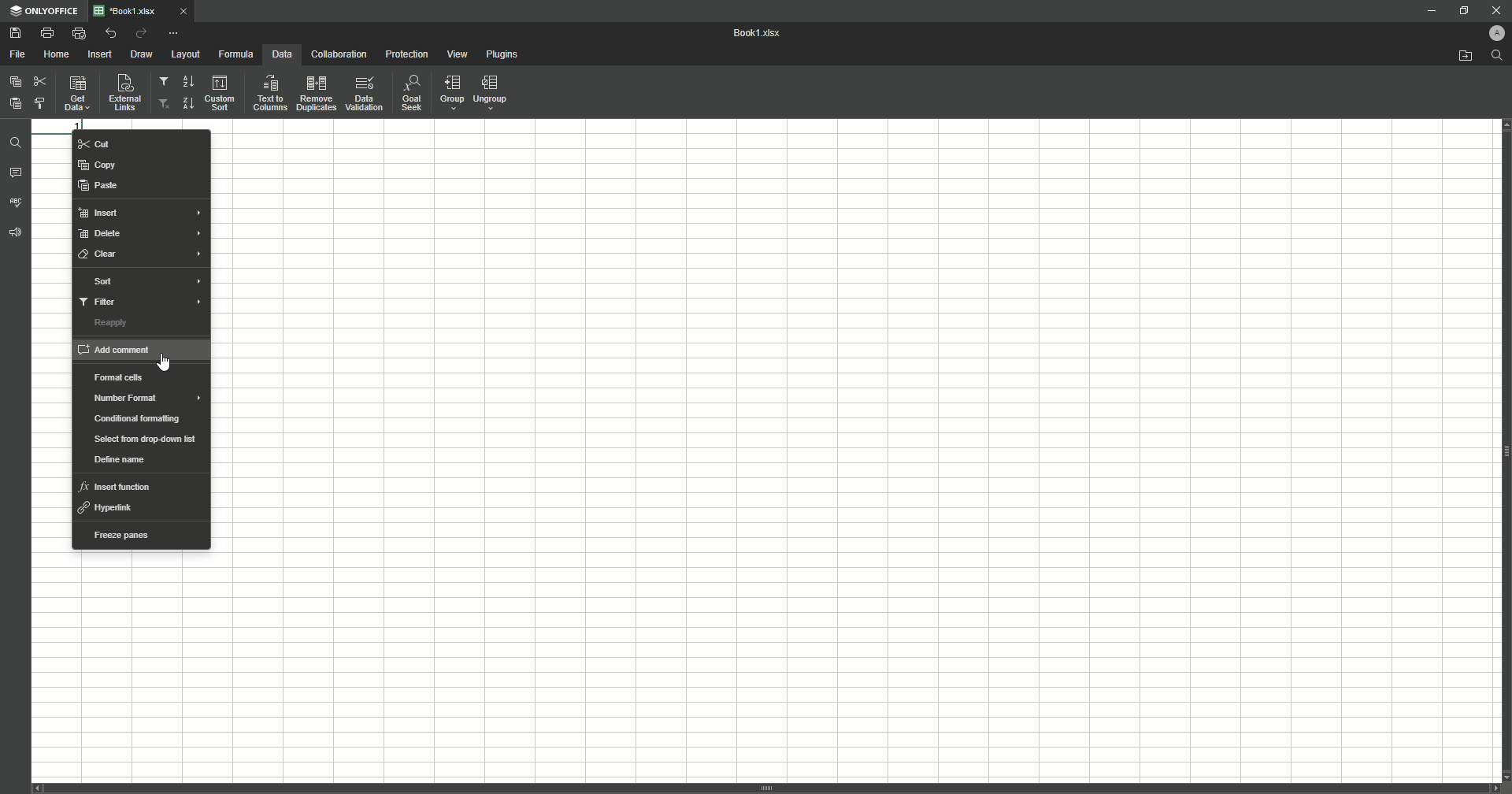 This screenshot has height=794, width=1512. Describe the element at coordinates (110, 325) in the screenshot. I see `Reapply` at that location.